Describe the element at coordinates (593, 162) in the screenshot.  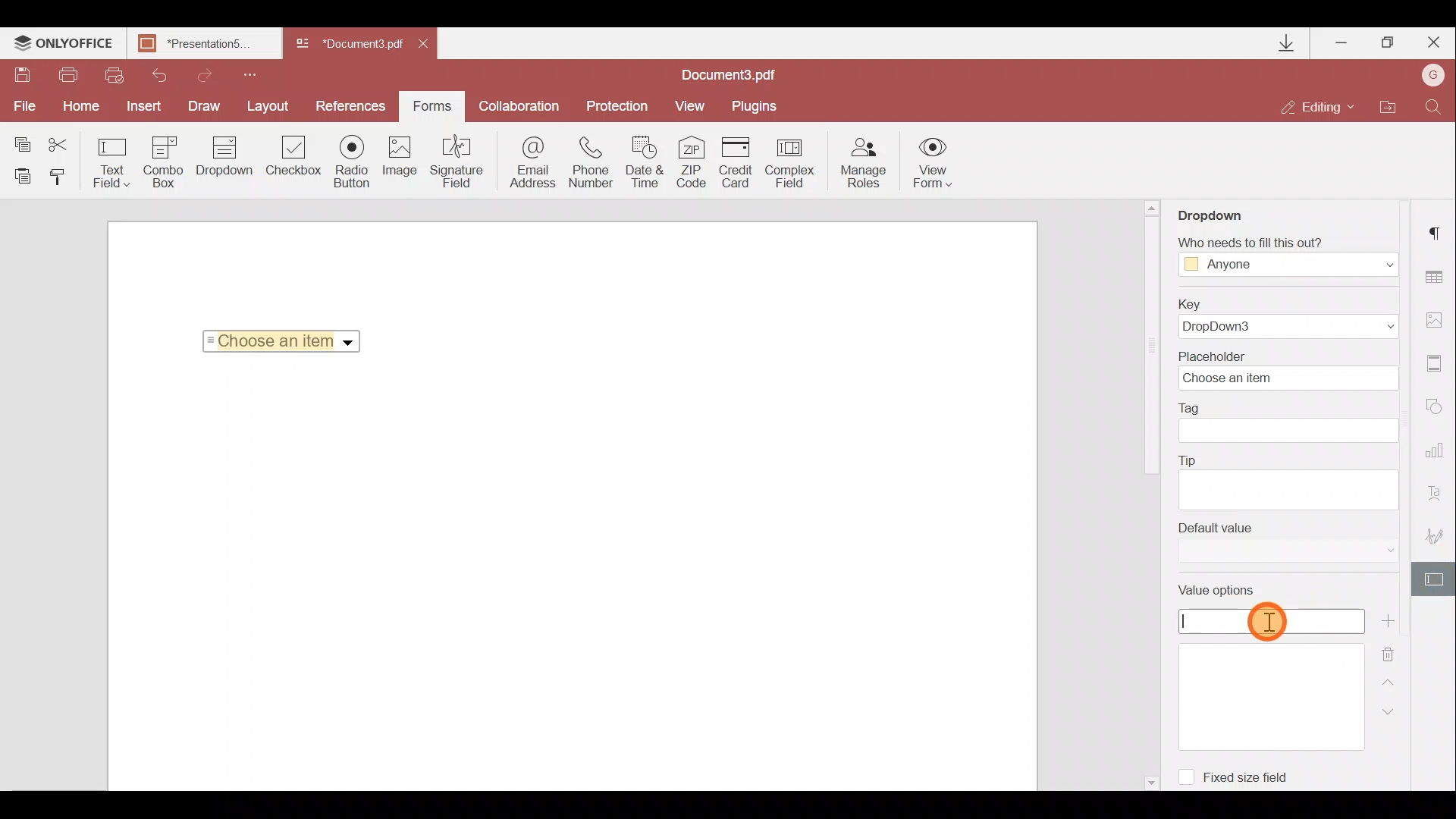
I see `Phone number` at that location.